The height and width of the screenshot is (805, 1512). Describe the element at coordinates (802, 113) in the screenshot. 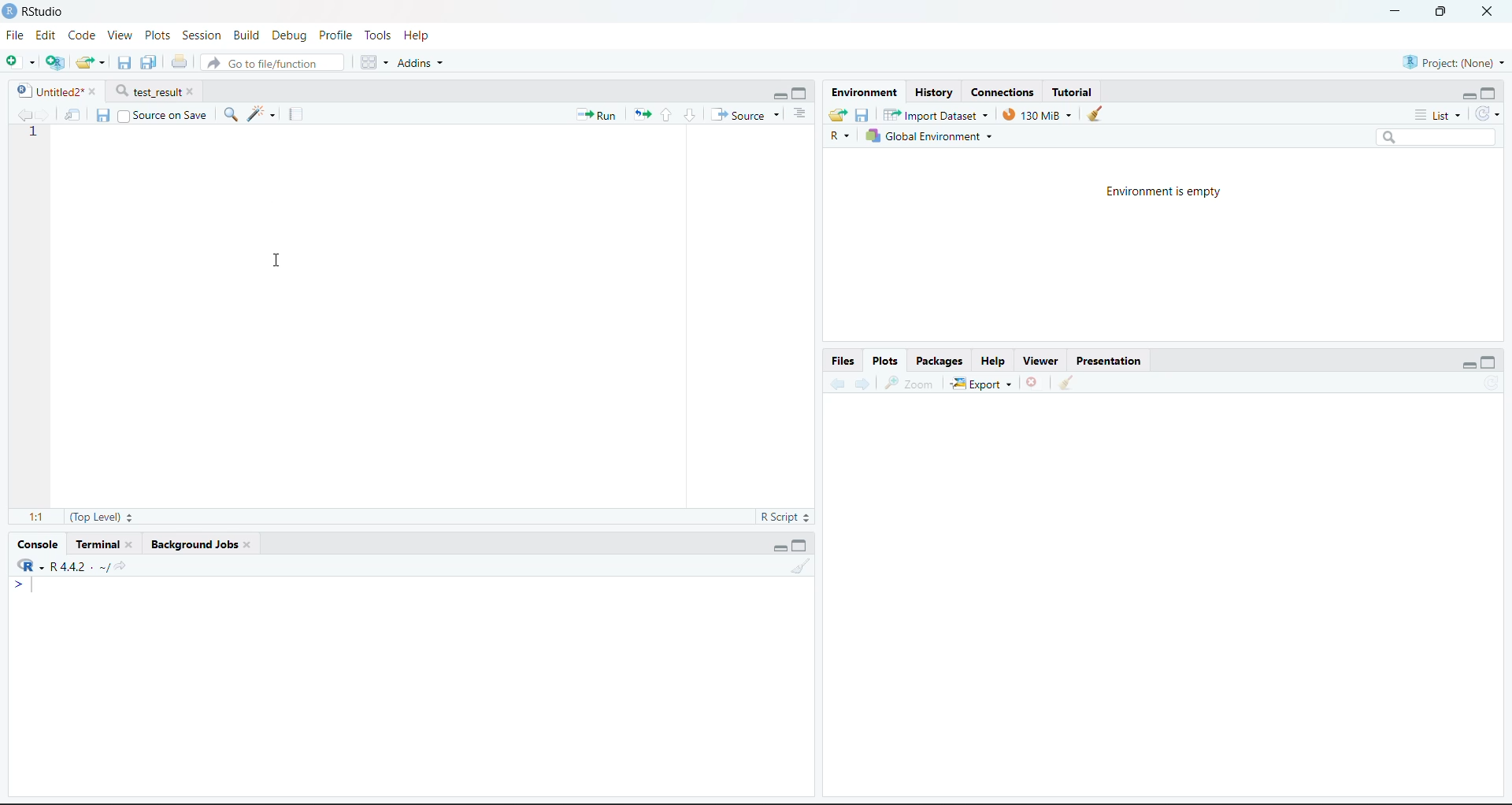

I see `List` at that location.